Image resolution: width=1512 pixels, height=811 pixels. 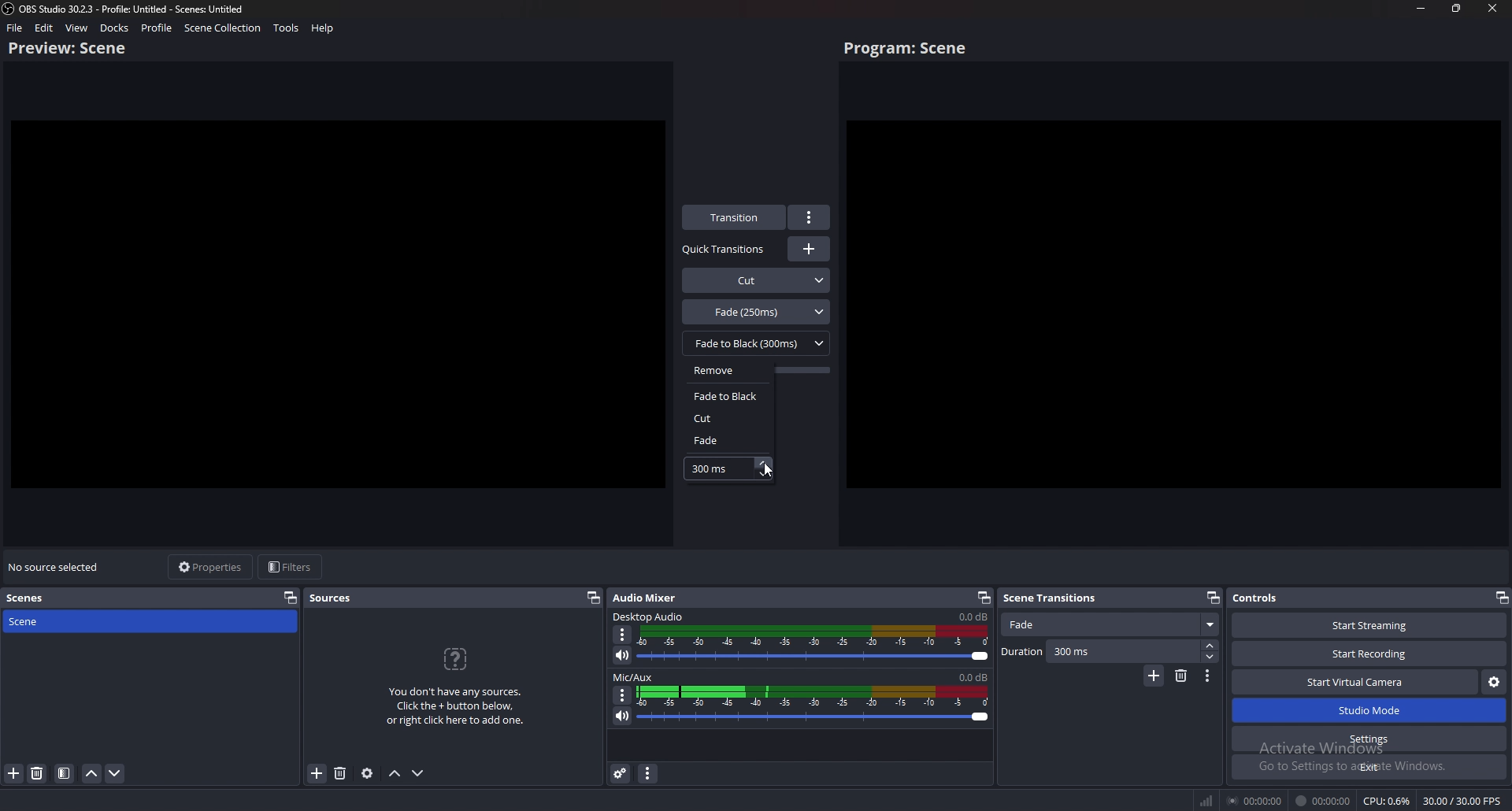 What do you see at coordinates (457, 659) in the screenshot?
I see `question icon` at bounding box center [457, 659].